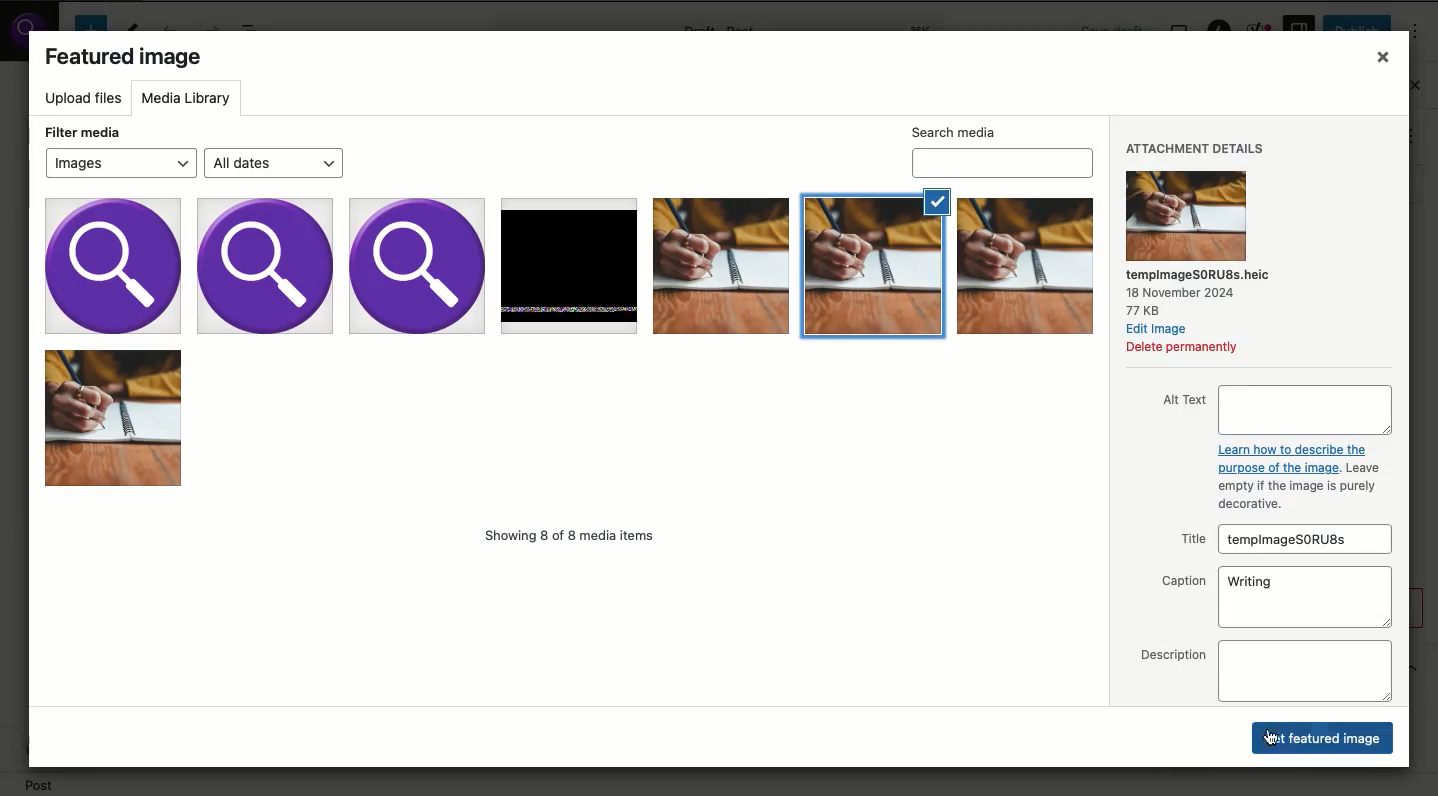 The height and width of the screenshot is (796, 1438). I want to click on Image, so click(113, 265).